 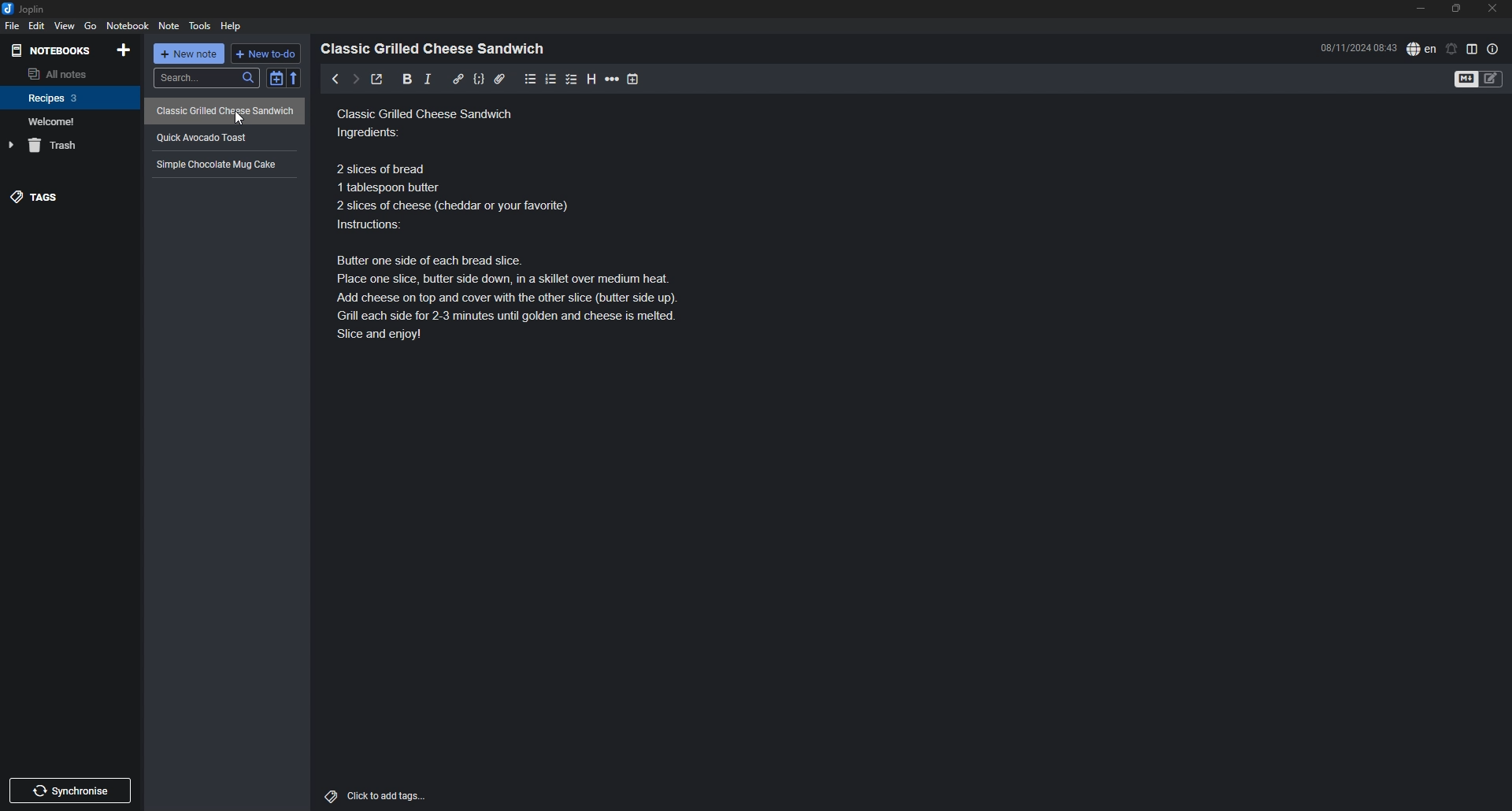 I want to click on attachment, so click(x=499, y=79).